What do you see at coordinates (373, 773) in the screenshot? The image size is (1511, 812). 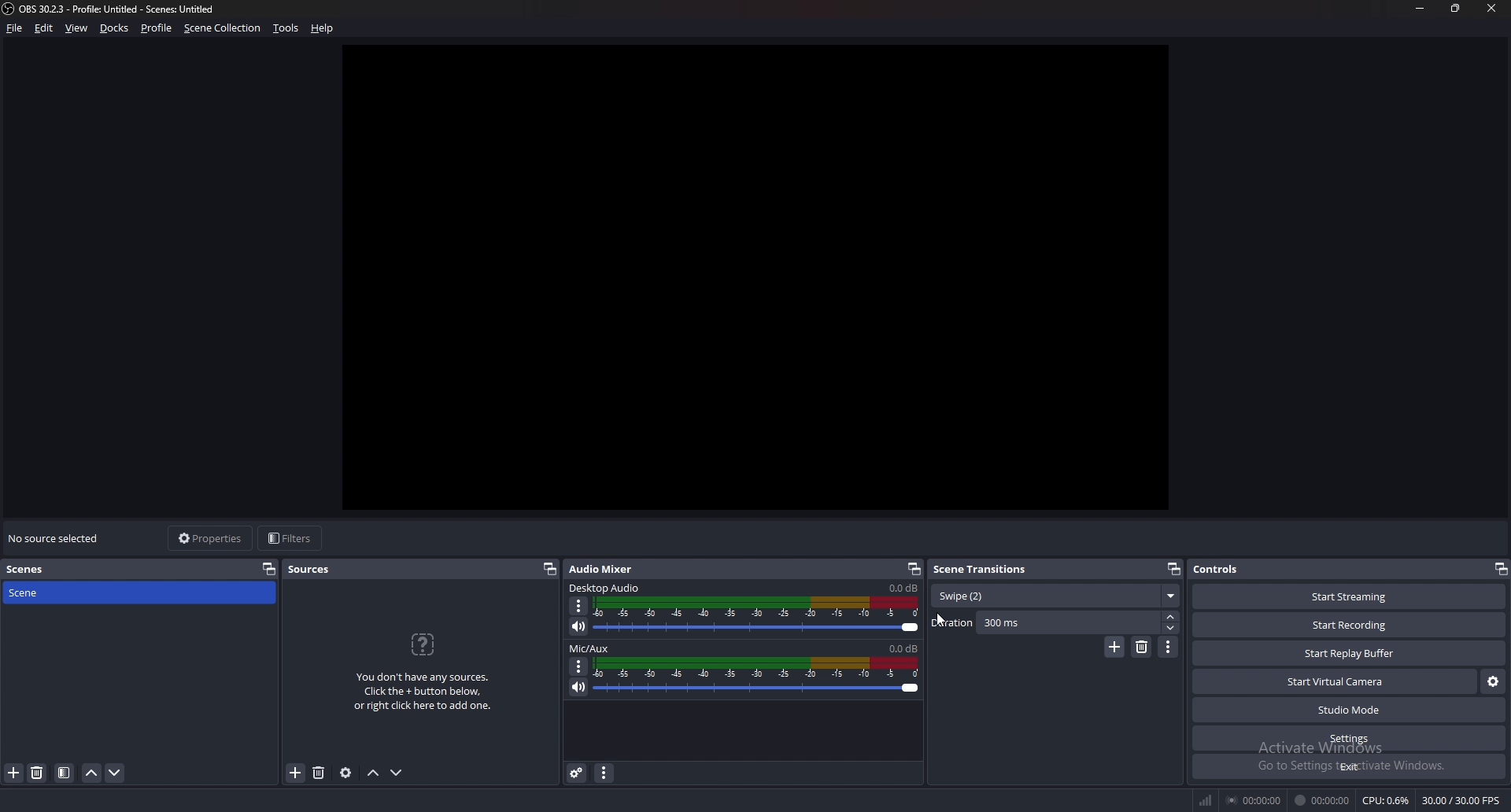 I see `move up` at bounding box center [373, 773].